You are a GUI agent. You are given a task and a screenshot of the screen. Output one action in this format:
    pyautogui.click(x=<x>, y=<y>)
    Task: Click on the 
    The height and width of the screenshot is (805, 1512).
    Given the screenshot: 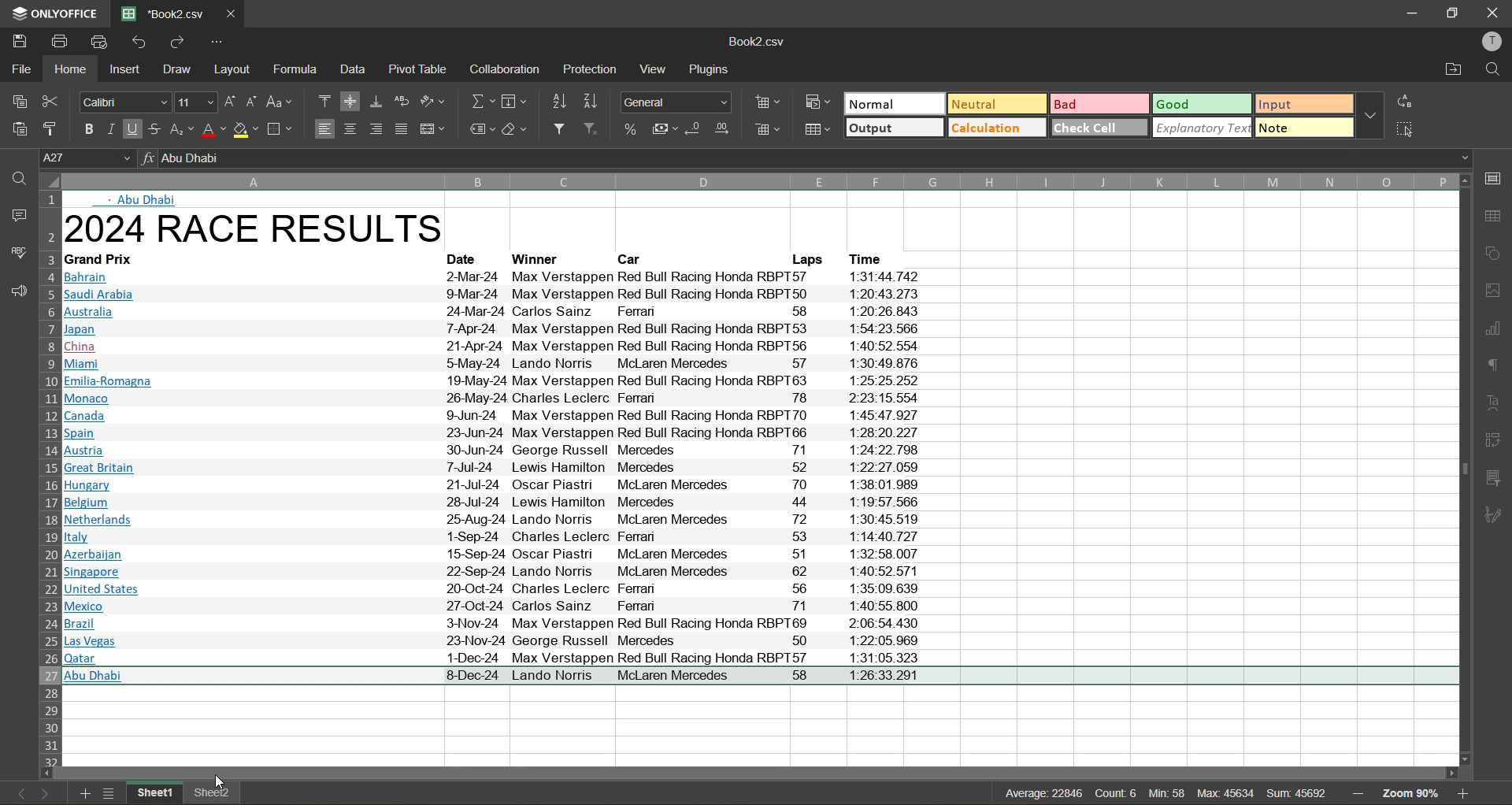 What is the action you would take?
    pyautogui.click(x=492, y=658)
    